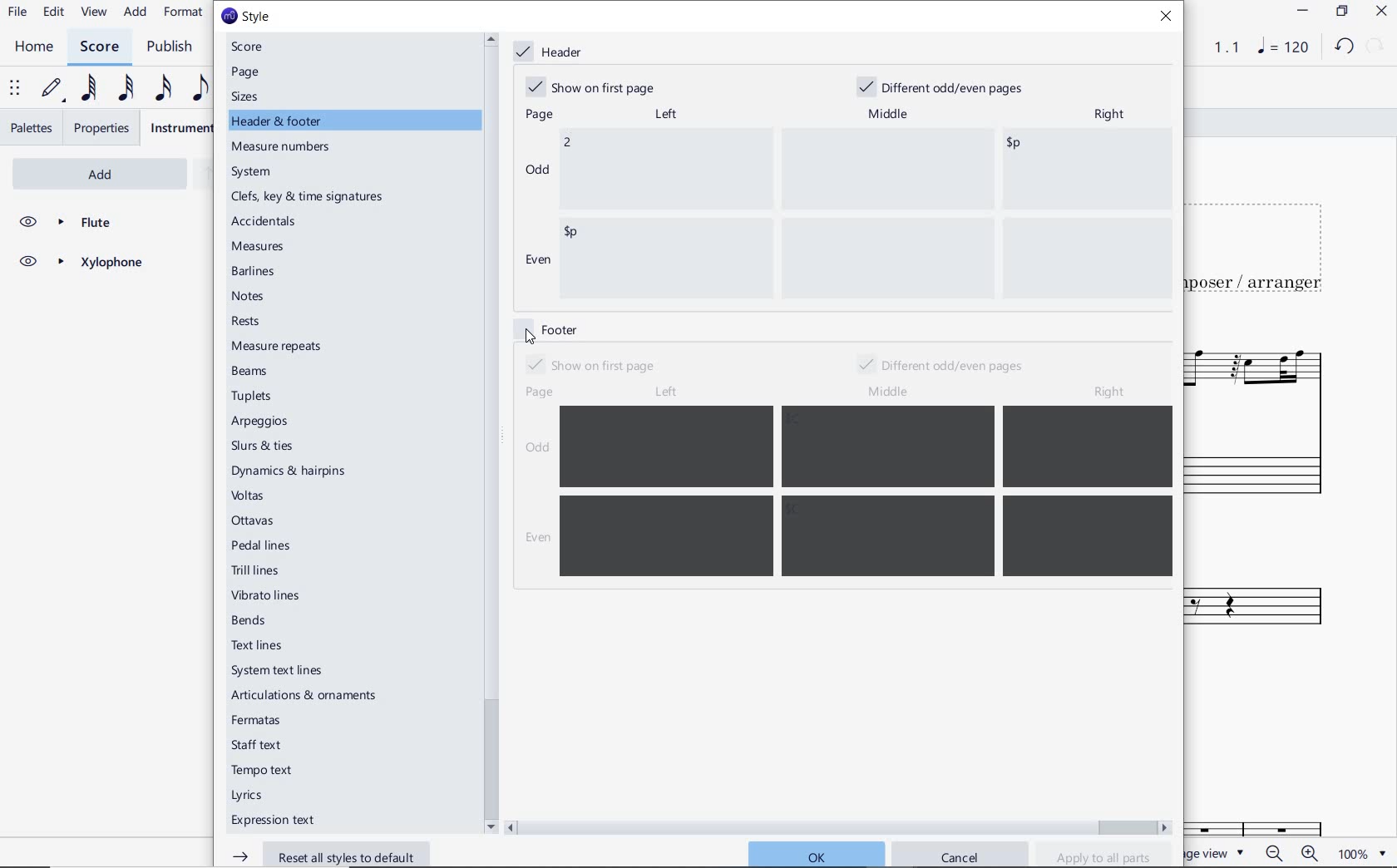  I want to click on slurs & ties, so click(263, 447).